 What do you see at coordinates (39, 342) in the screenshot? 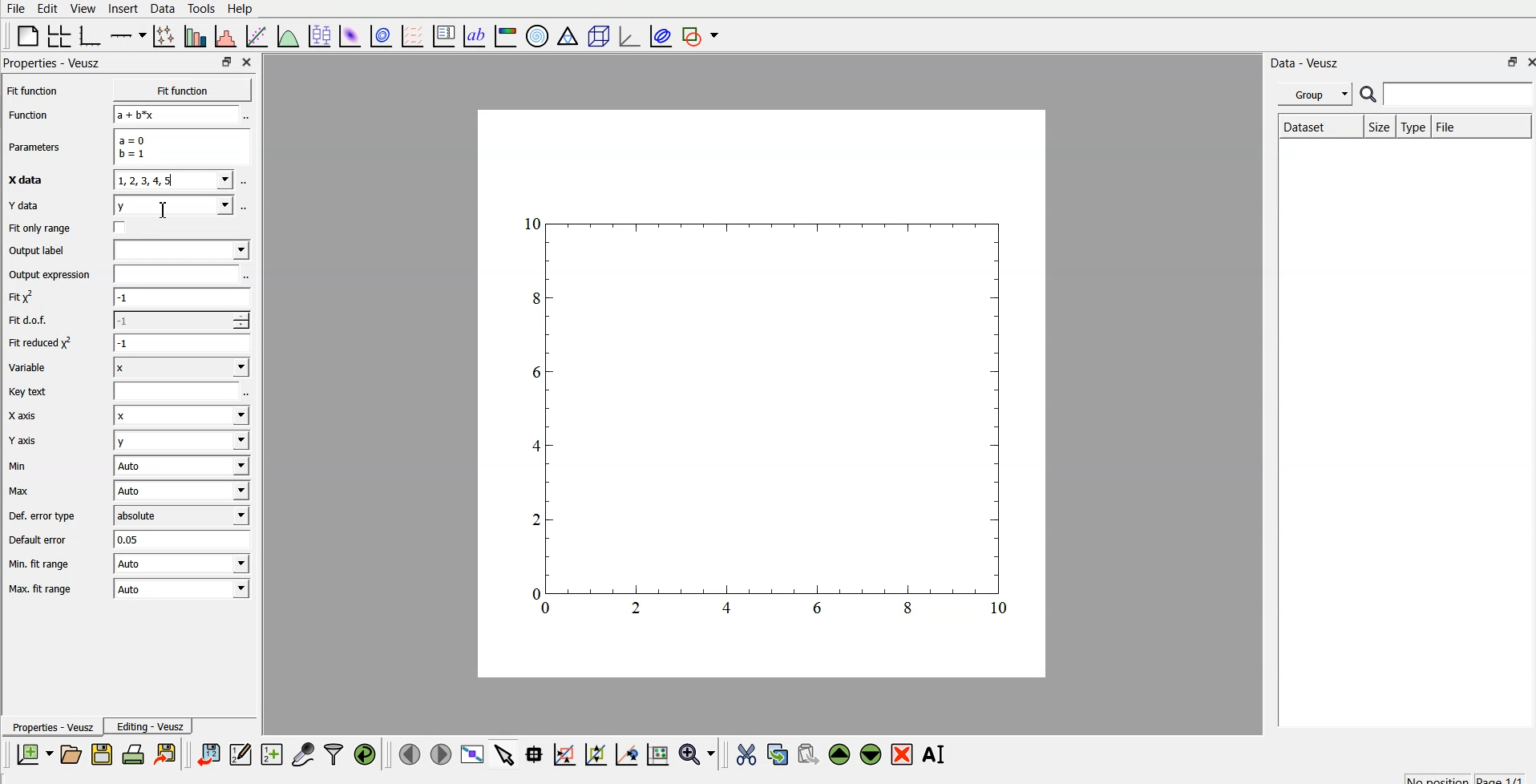
I see `| Fit reduced x^2` at bounding box center [39, 342].